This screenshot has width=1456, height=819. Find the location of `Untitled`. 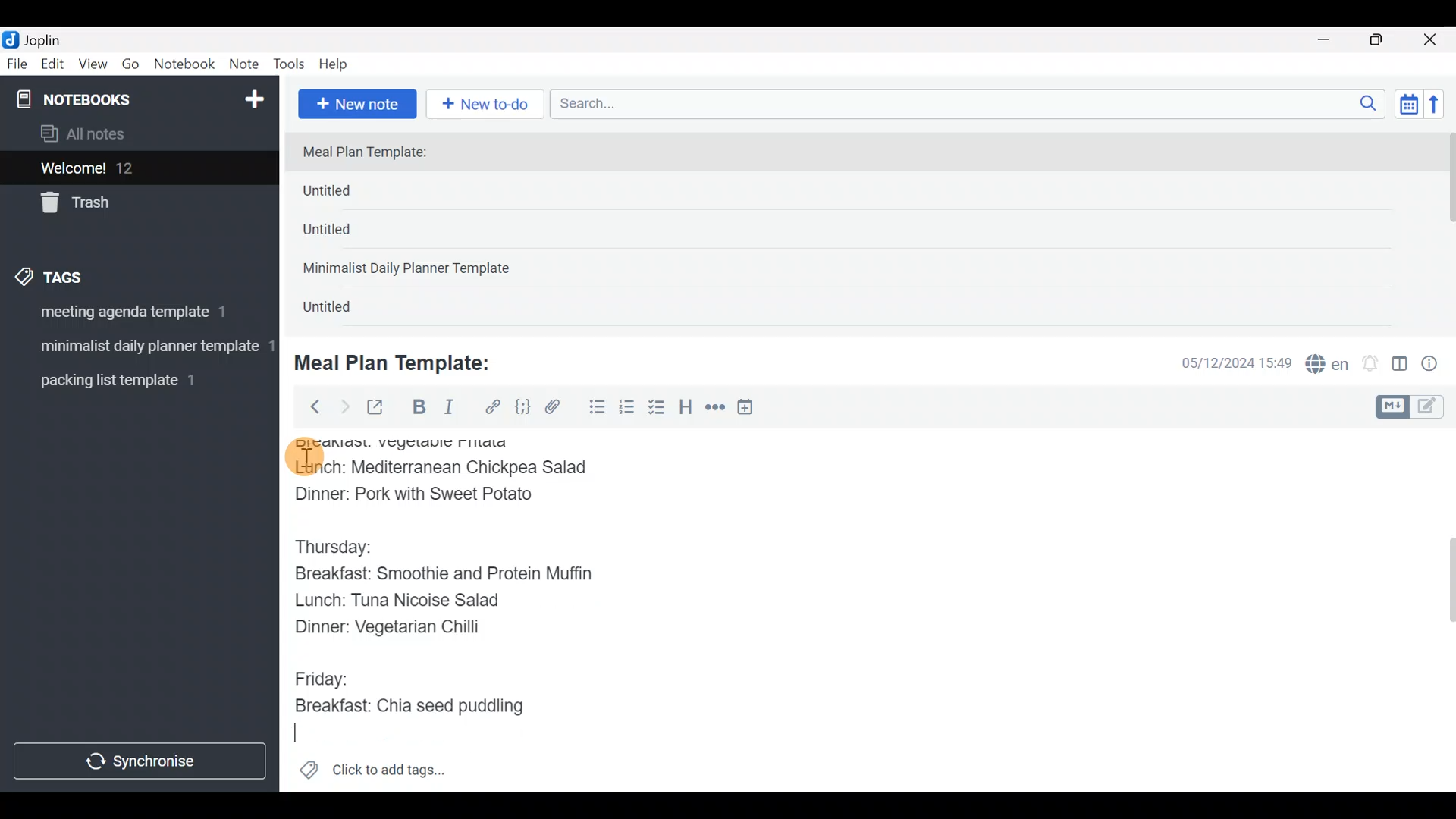

Untitled is located at coordinates (352, 194).